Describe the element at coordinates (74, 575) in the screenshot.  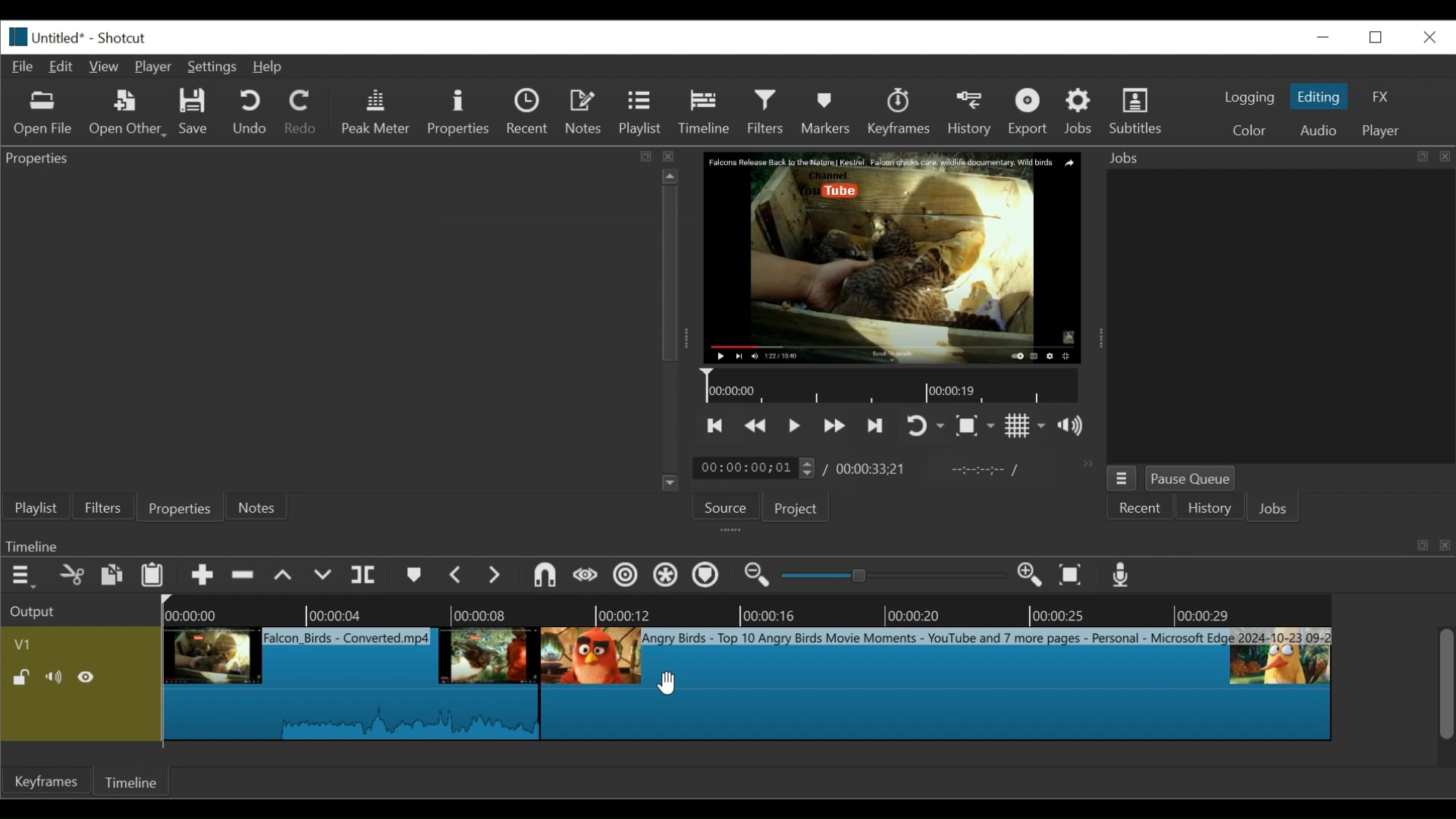
I see `Cut` at that location.